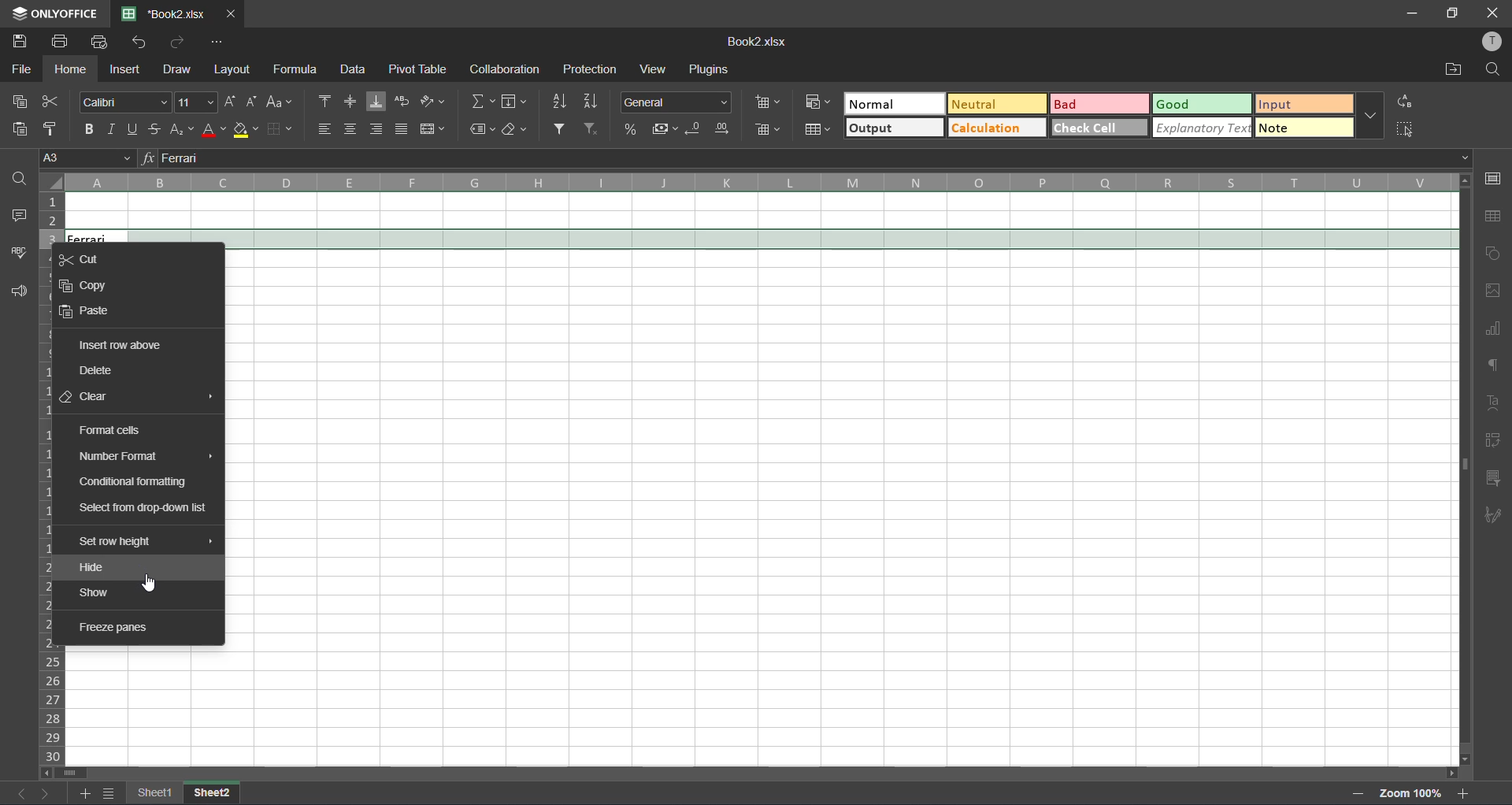 The width and height of the screenshot is (1512, 805). Describe the element at coordinates (375, 102) in the screenshot. I see `align bottom` at that location.